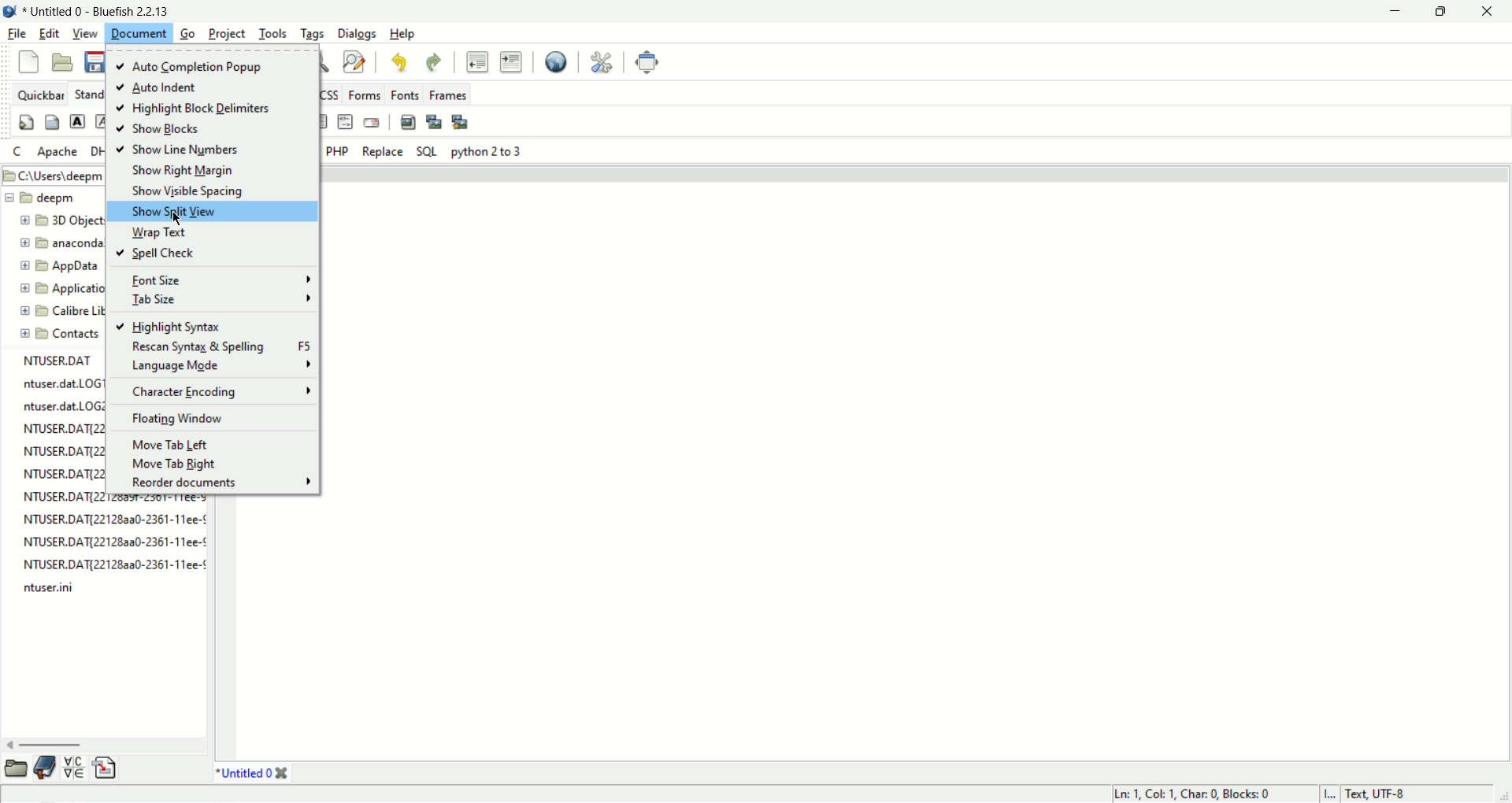 Image resolution: width=1512 pixels, height=803 pixels. I want to click on file, so click(17, 34).